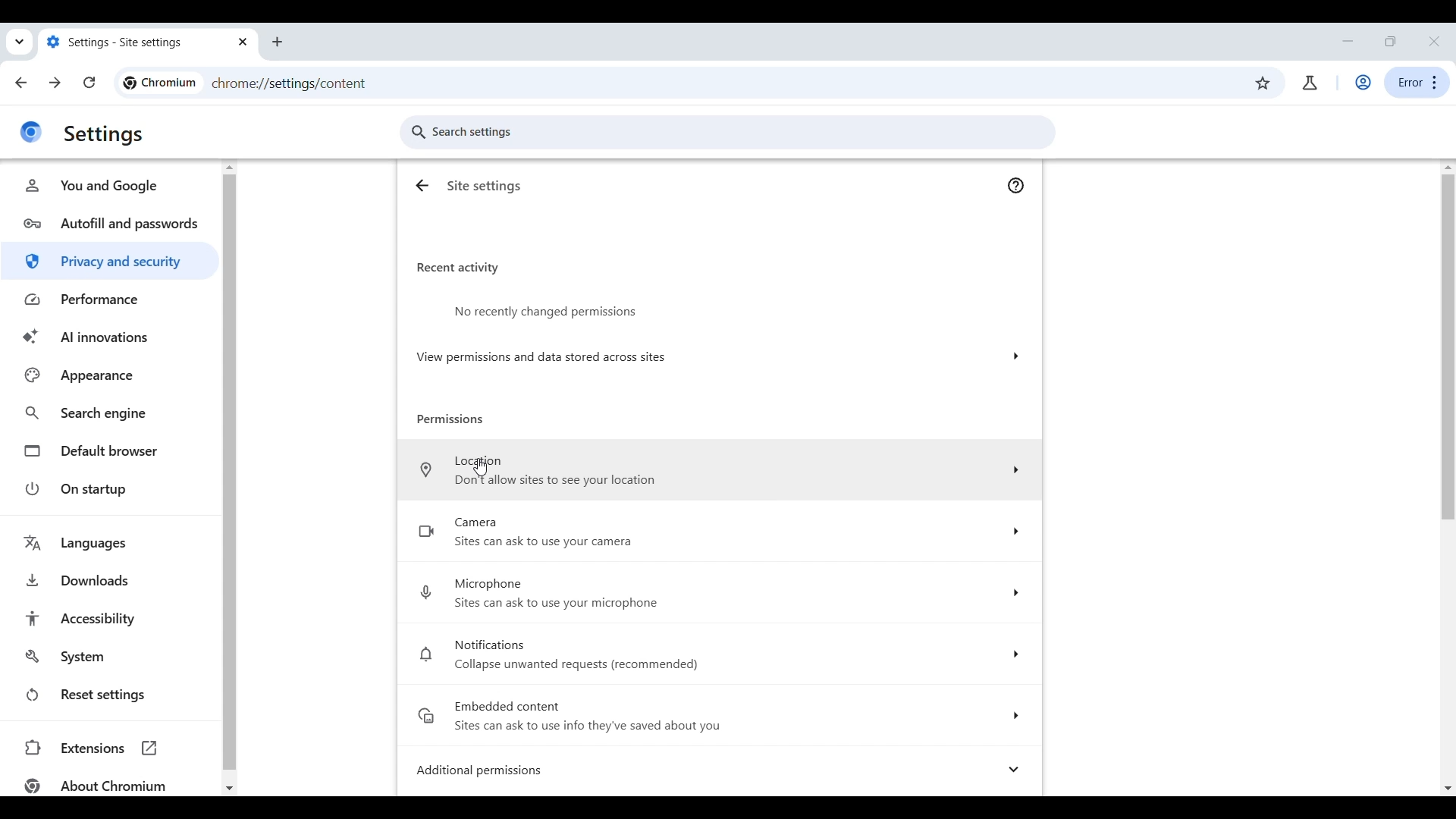  What do you see at coordinates (230, 789) in the screenshot?
I see `Quick slide to bottom` at bounding box center [230, 789].